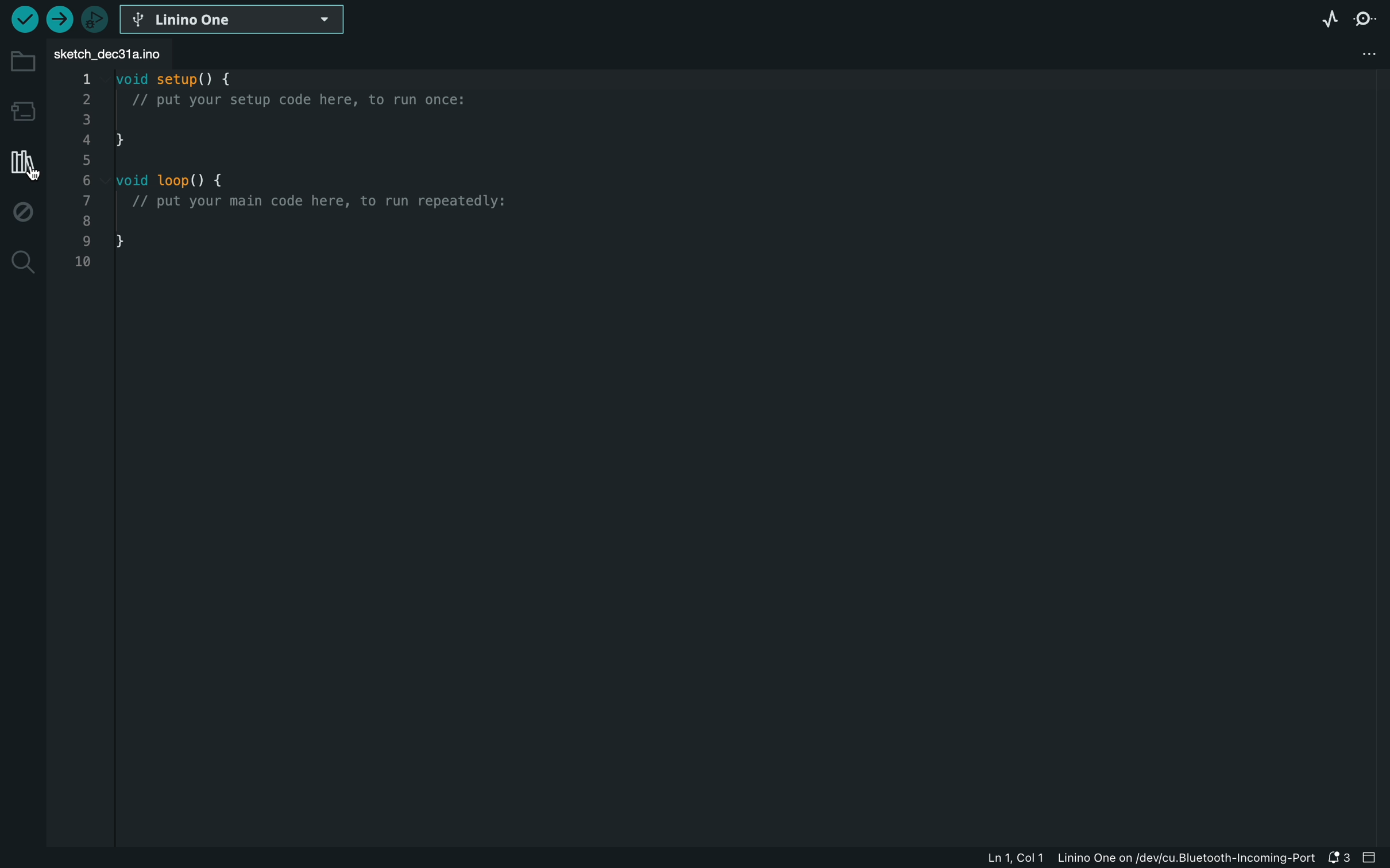  What do you see at coordinates (22, 61) in the screenshot?
I see `folder` at bounding box center [22, 61].